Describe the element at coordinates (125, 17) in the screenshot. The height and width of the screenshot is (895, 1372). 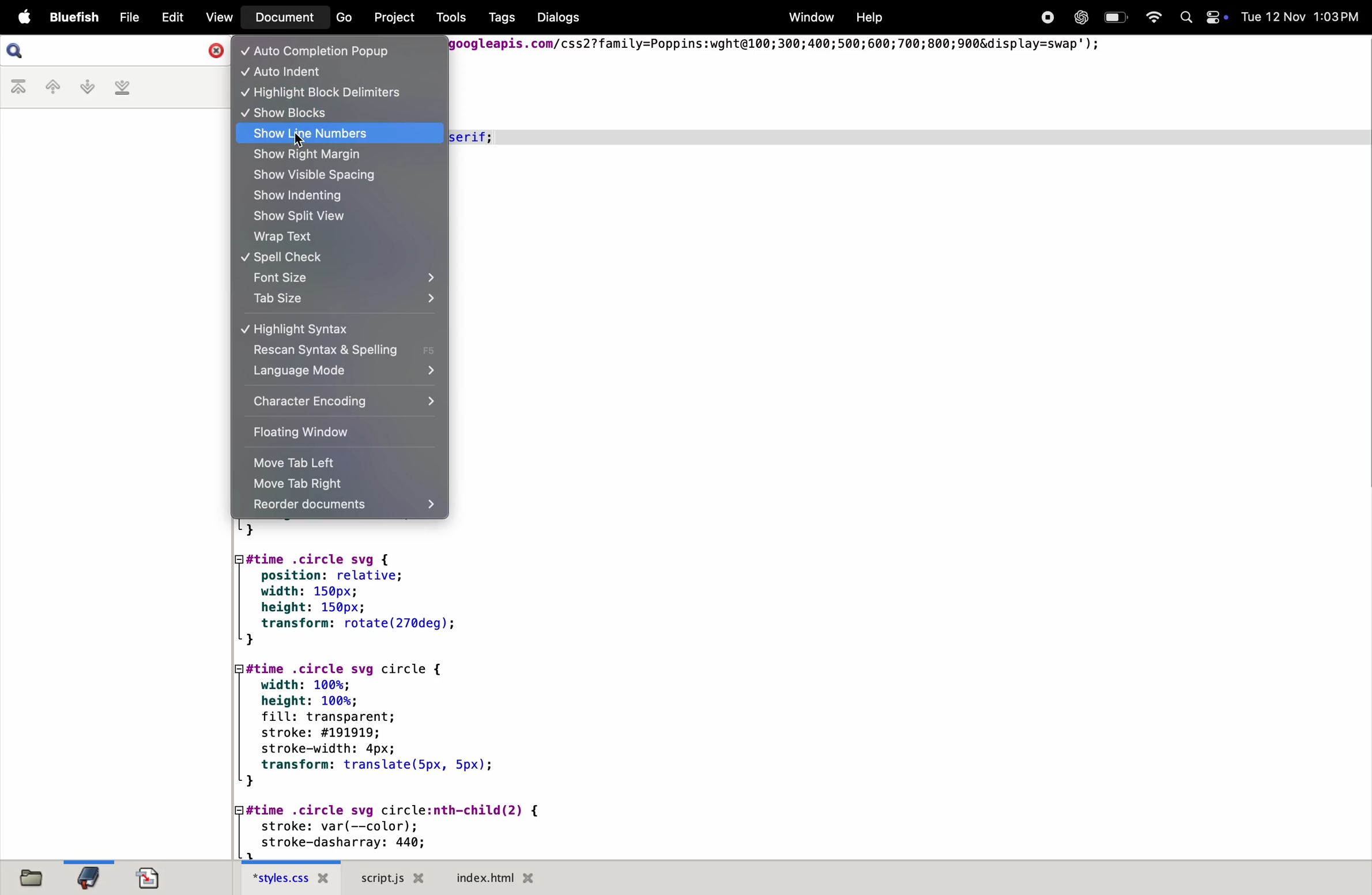
I see `File` at that location.